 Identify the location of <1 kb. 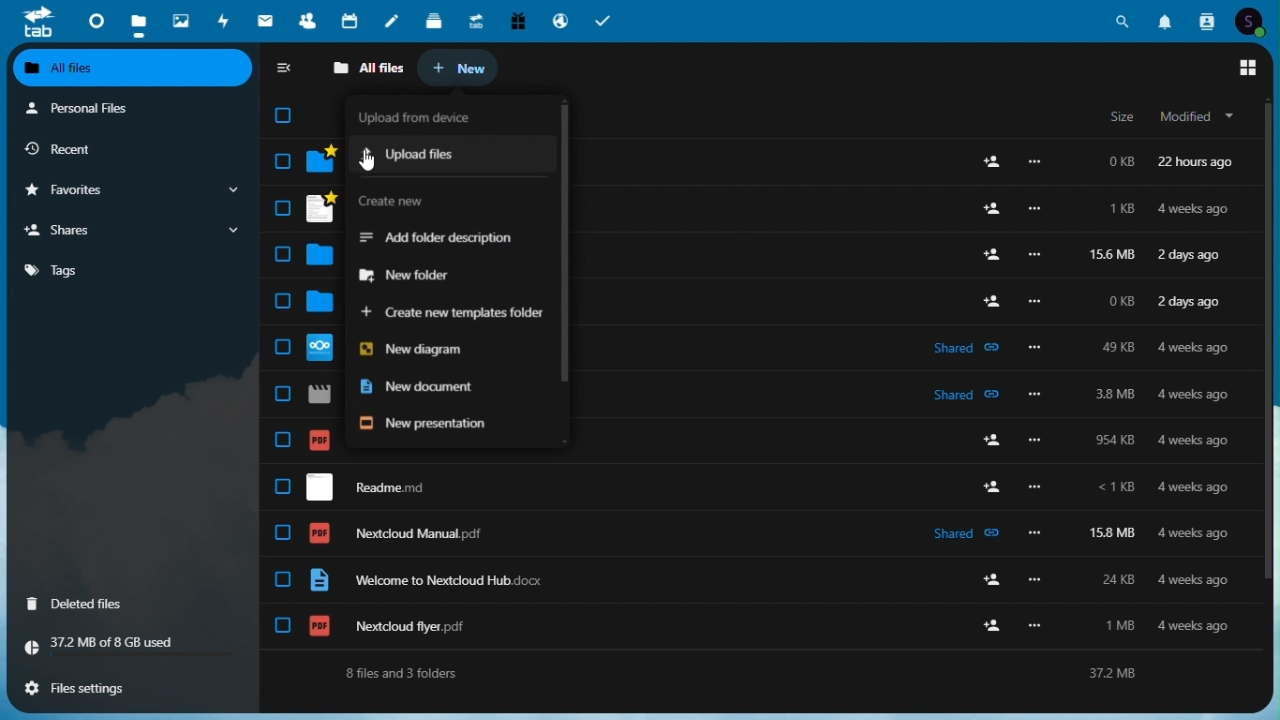
(1115, 487).